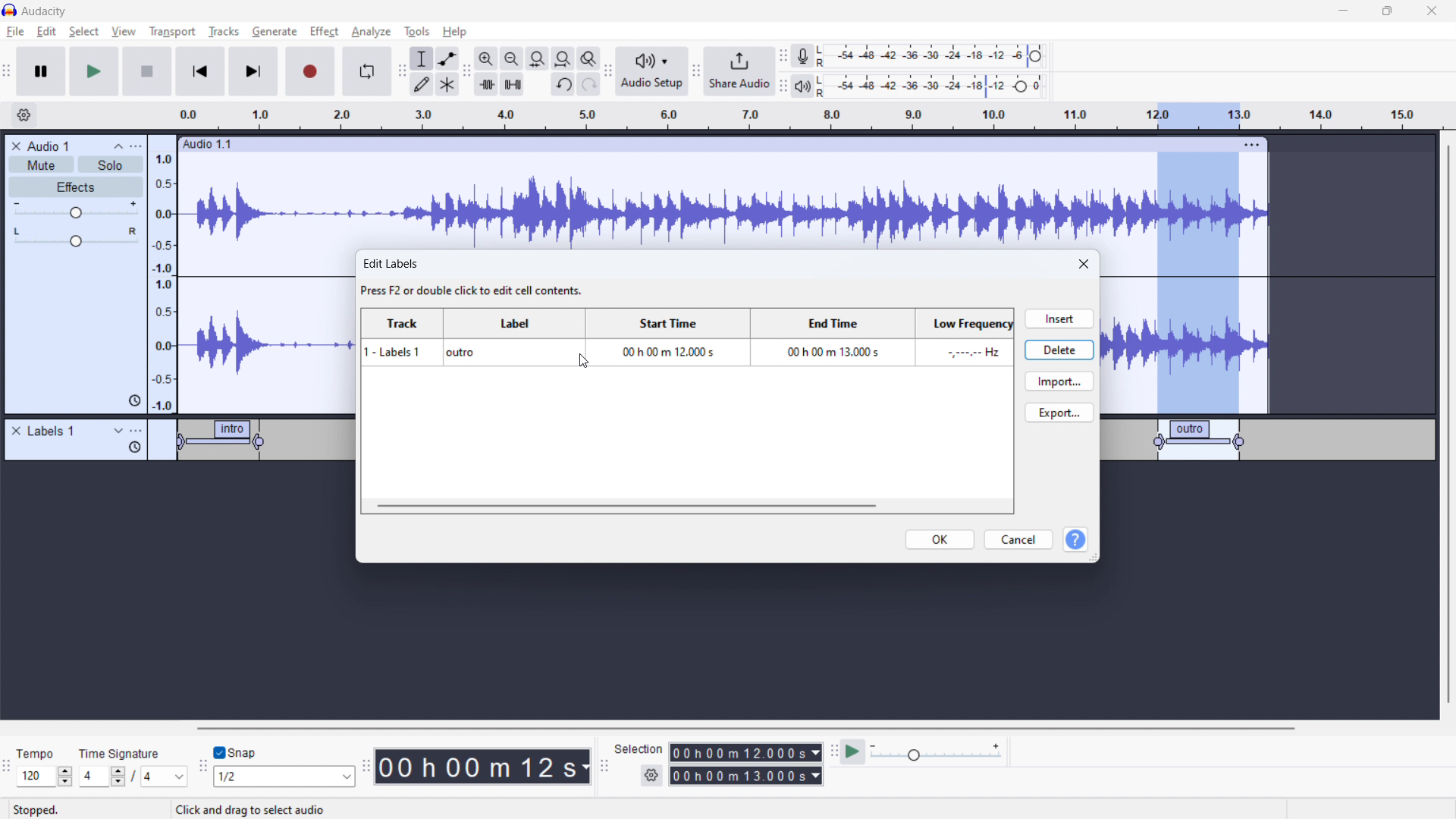 This screenshot has height=819, width=1456. I want to click on set tempo, so click(47, 777).